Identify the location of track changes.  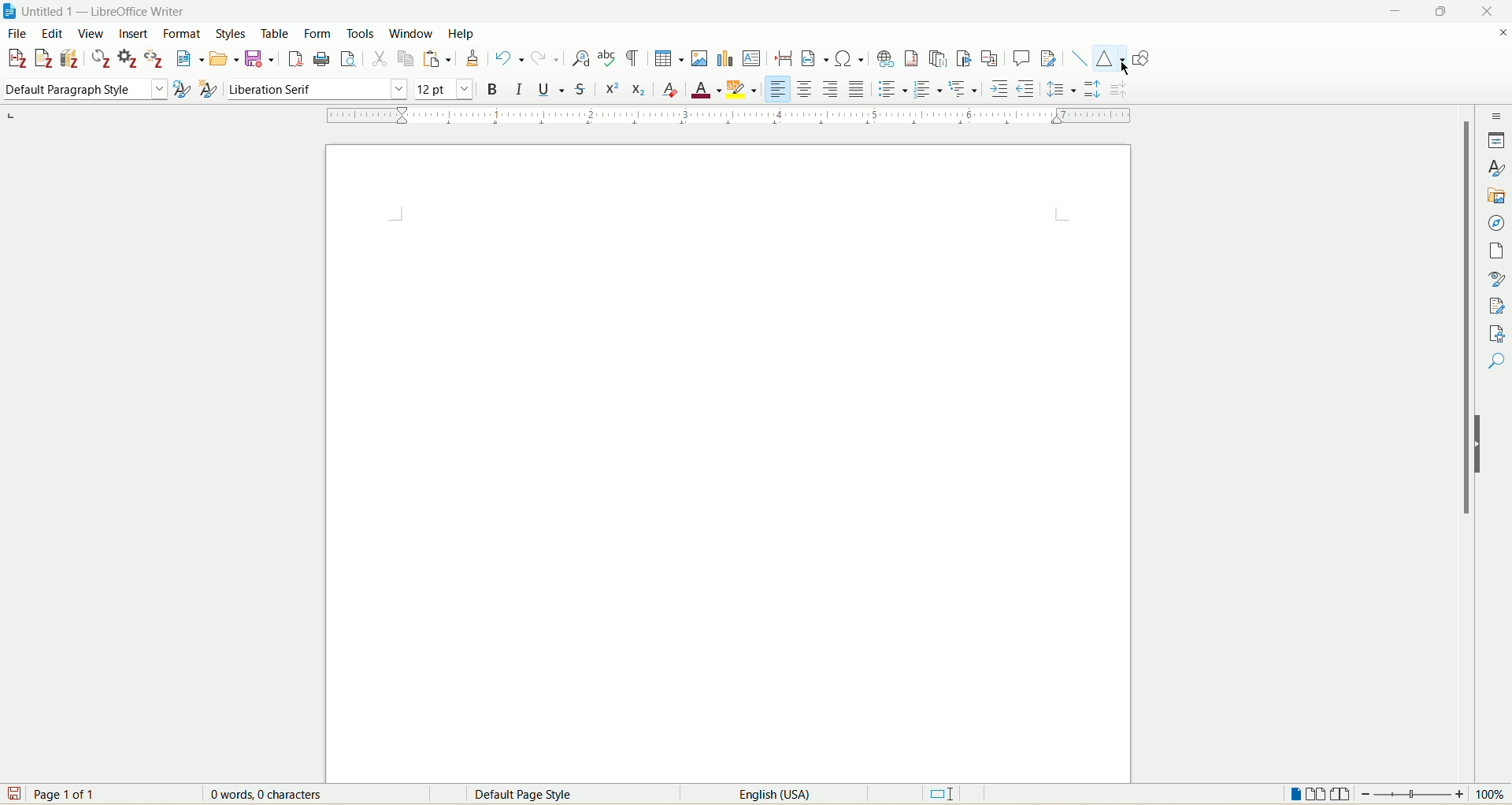
(1048, 57).